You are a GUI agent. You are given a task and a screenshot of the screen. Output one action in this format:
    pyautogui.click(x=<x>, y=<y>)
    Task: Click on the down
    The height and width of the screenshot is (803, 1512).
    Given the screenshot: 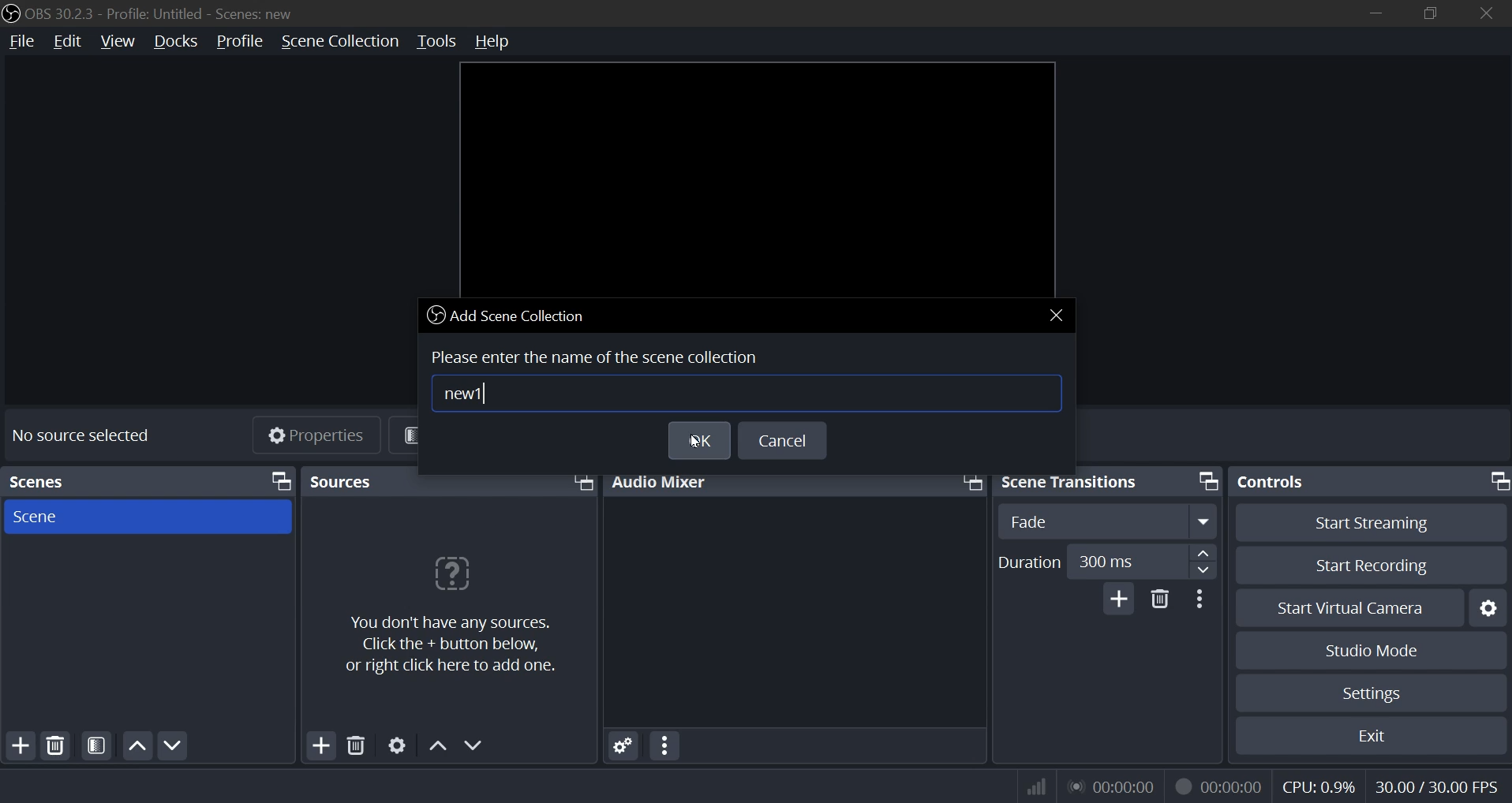 What is the action you would take?
    pyautogui.click(x=475, y=745)
    